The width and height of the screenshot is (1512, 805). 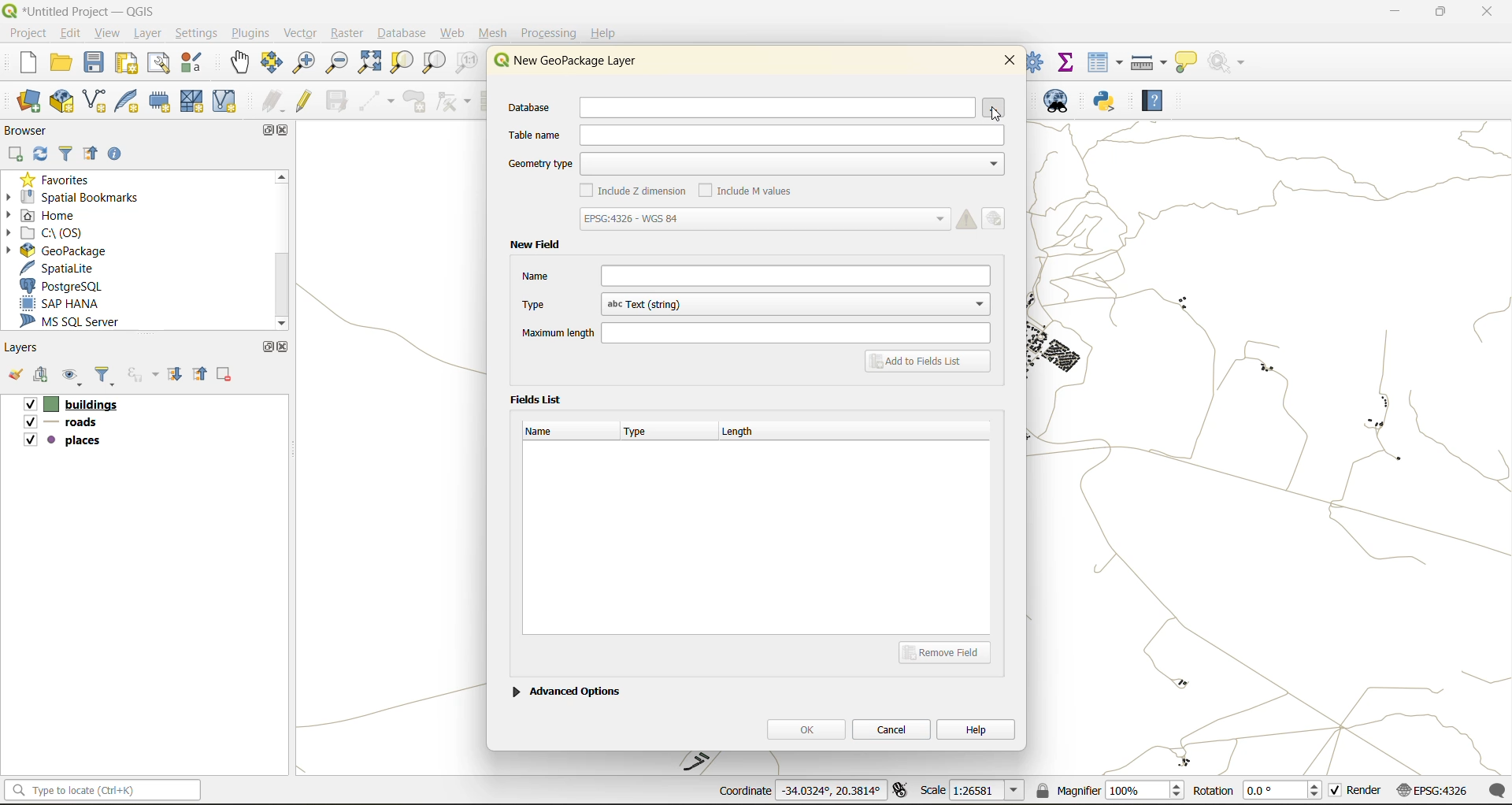 I want to click on enable properties, so click(x=119, y=153).